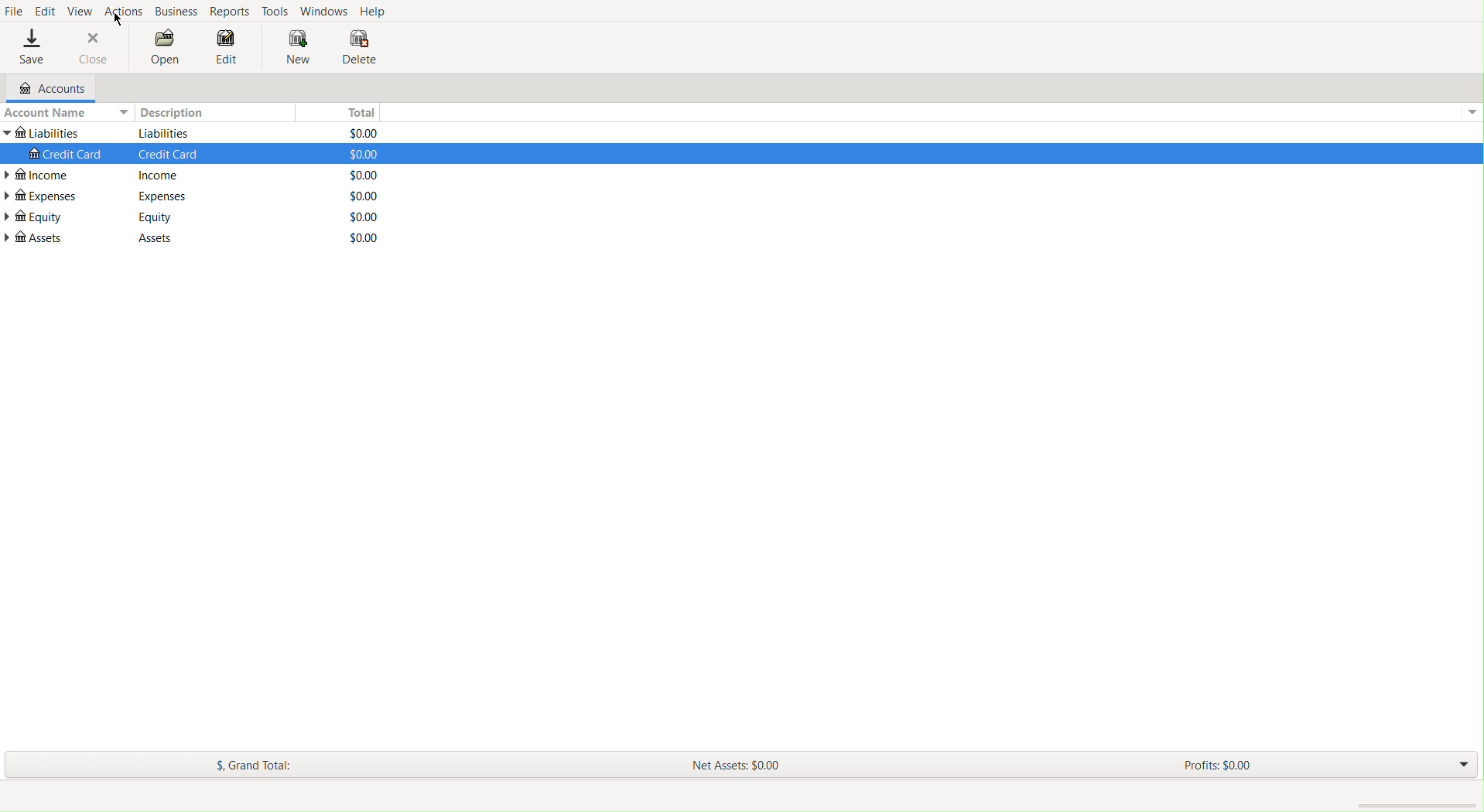  I want to click on Edit, so click(231, 46).